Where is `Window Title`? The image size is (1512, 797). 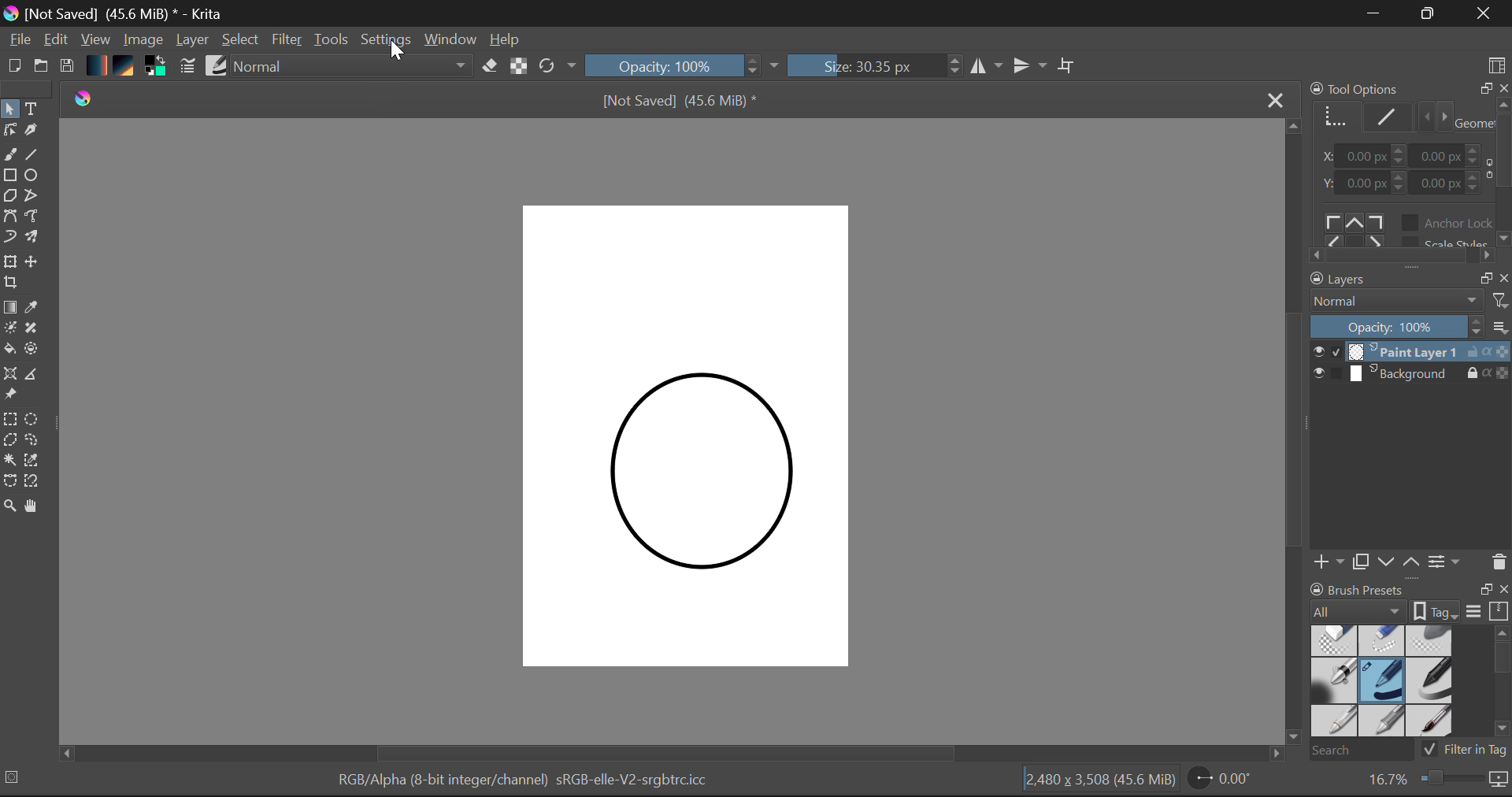 Window Title is located at coordinates (117, 13).